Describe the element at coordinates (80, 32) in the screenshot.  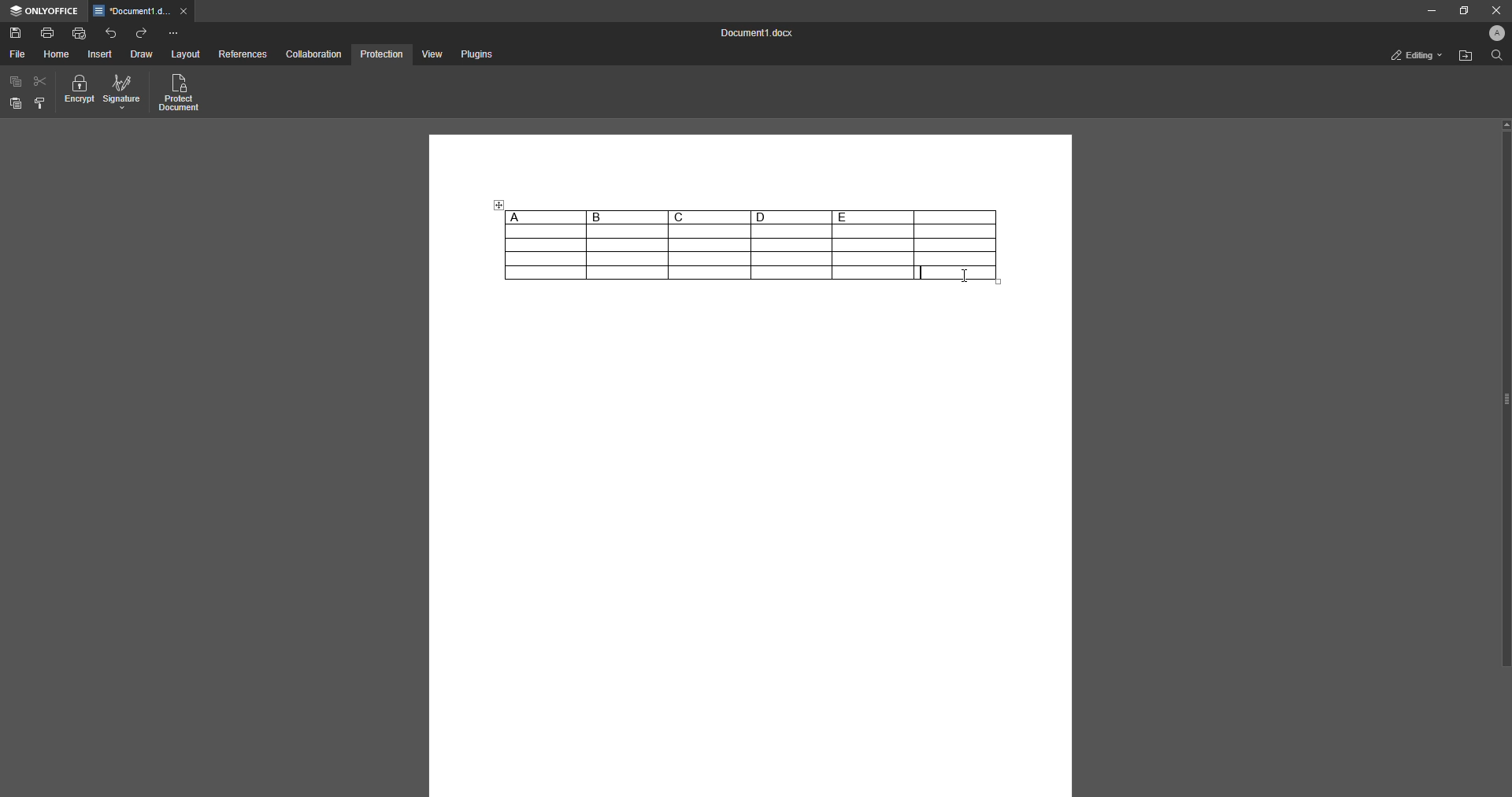
I see `Quick print` at that location.